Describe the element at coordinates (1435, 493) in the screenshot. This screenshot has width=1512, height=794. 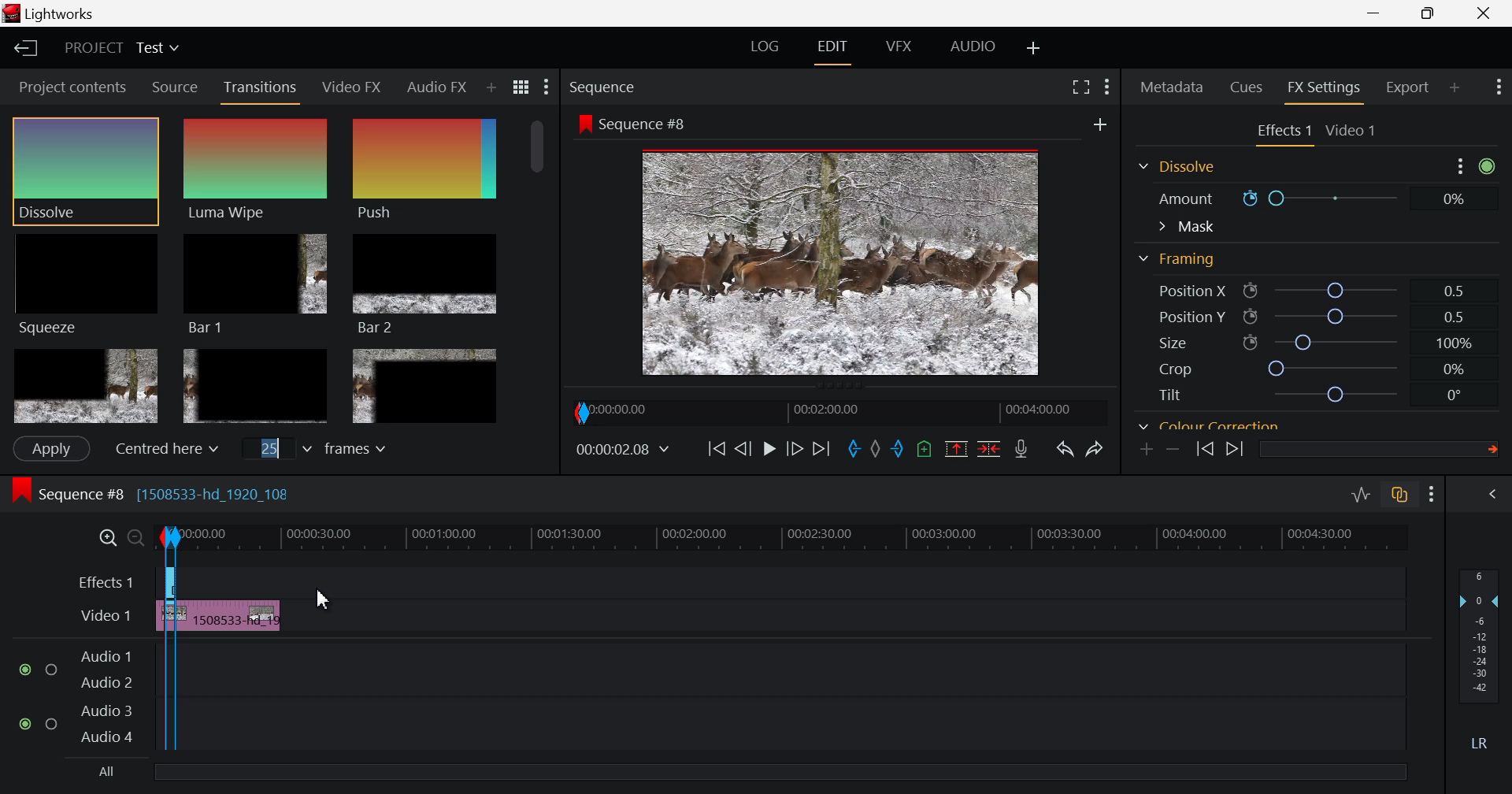
I see `Show Settings` at that location.